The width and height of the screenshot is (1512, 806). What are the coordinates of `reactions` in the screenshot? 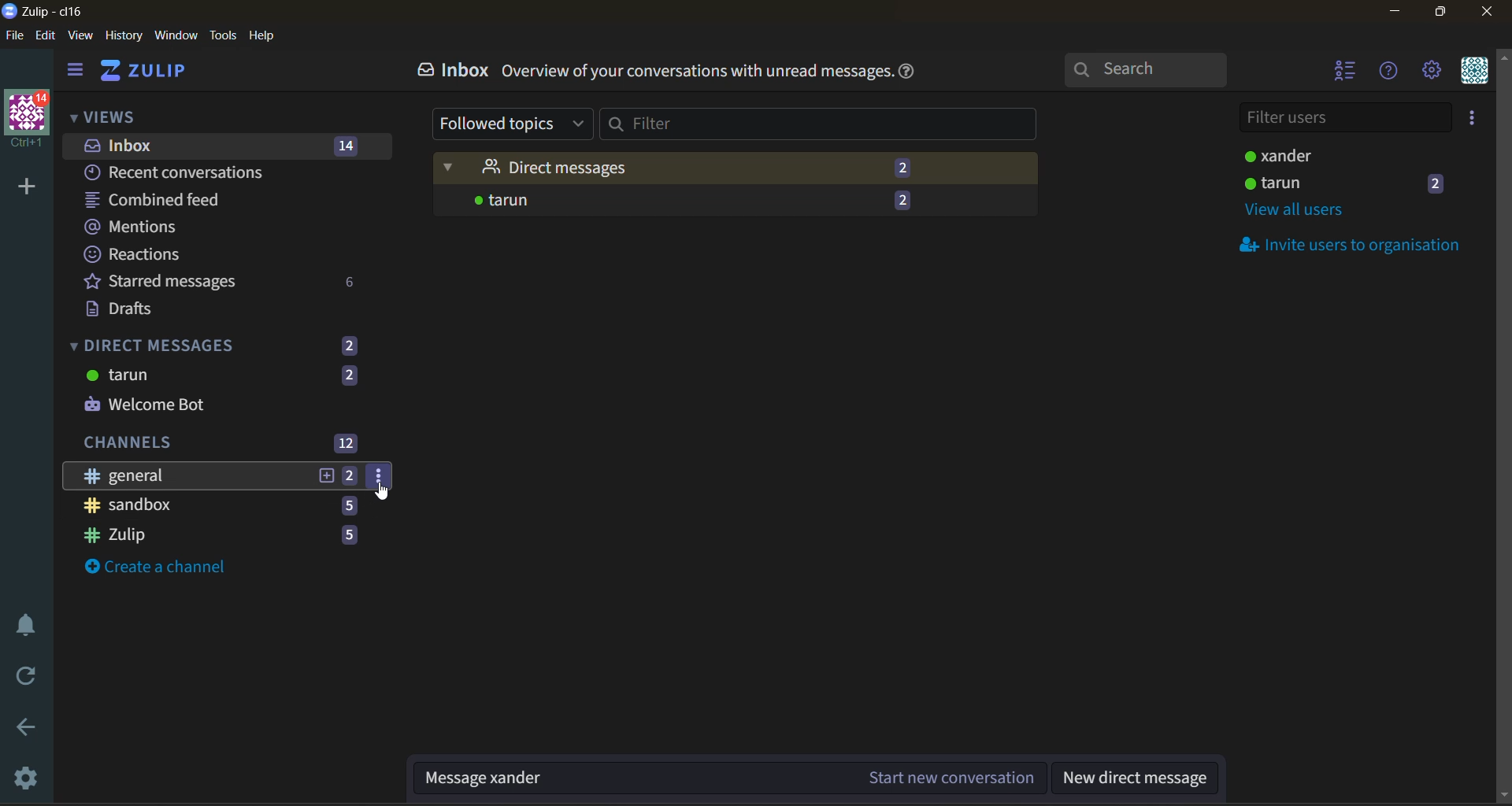 It's located at (139, 254).